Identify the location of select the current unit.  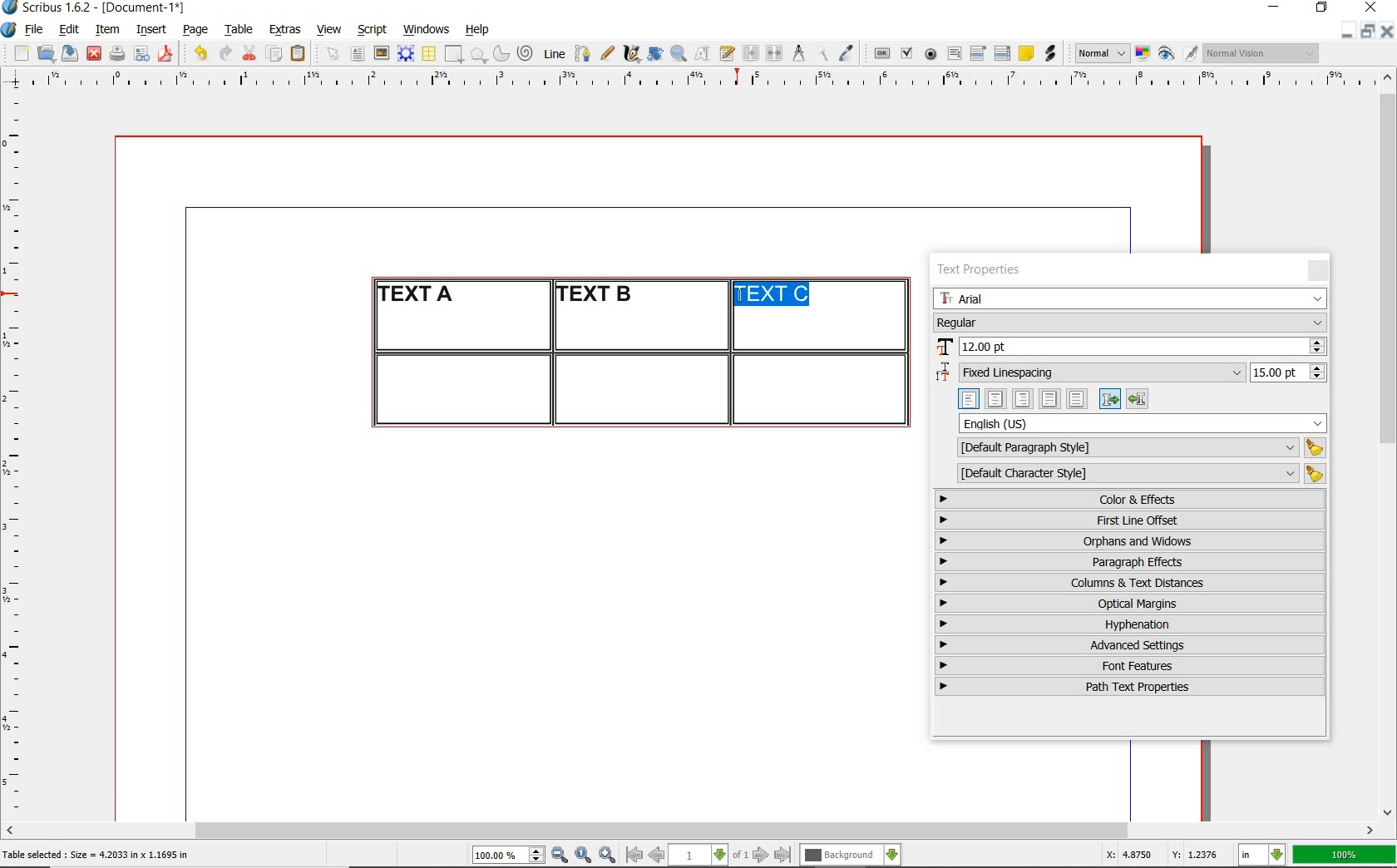
(1262, 856).